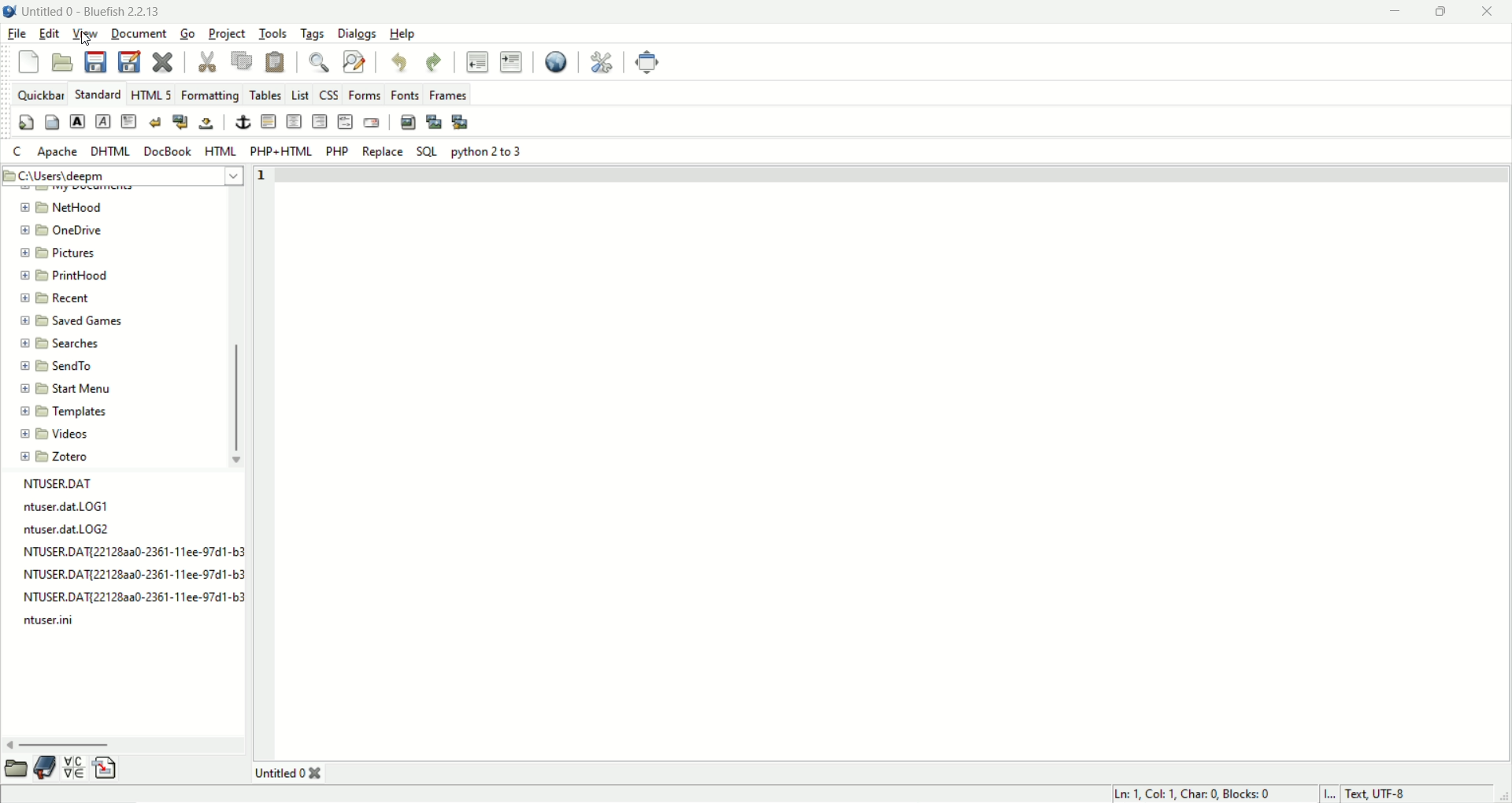 The width and height of the screenshot is (1512, 803). What do you see at coordinates (128, 598) in the screenshot?
I see `file` at bounding box center [128, 598].